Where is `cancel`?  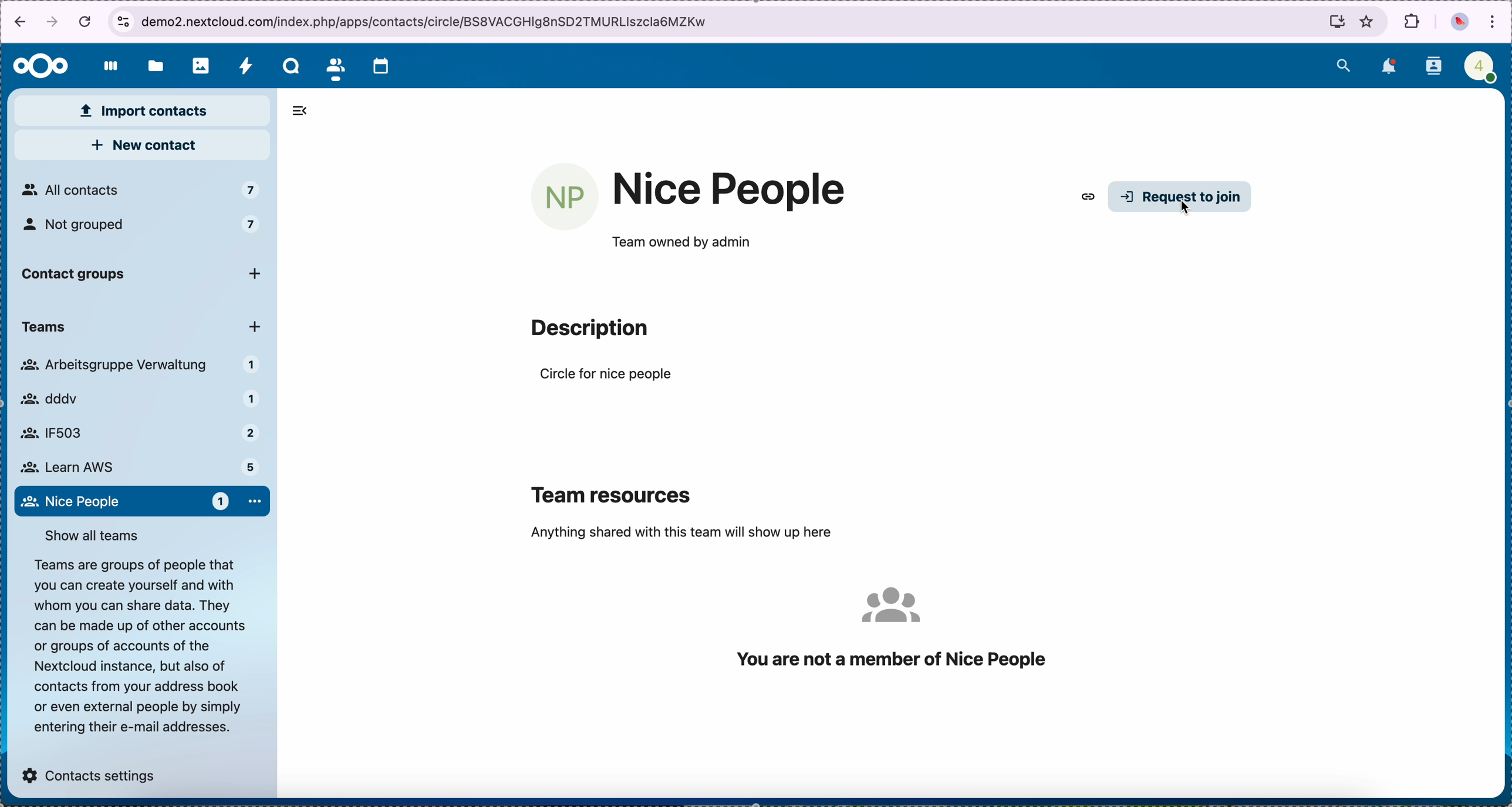
cancel is located at coordinates (85, 22).